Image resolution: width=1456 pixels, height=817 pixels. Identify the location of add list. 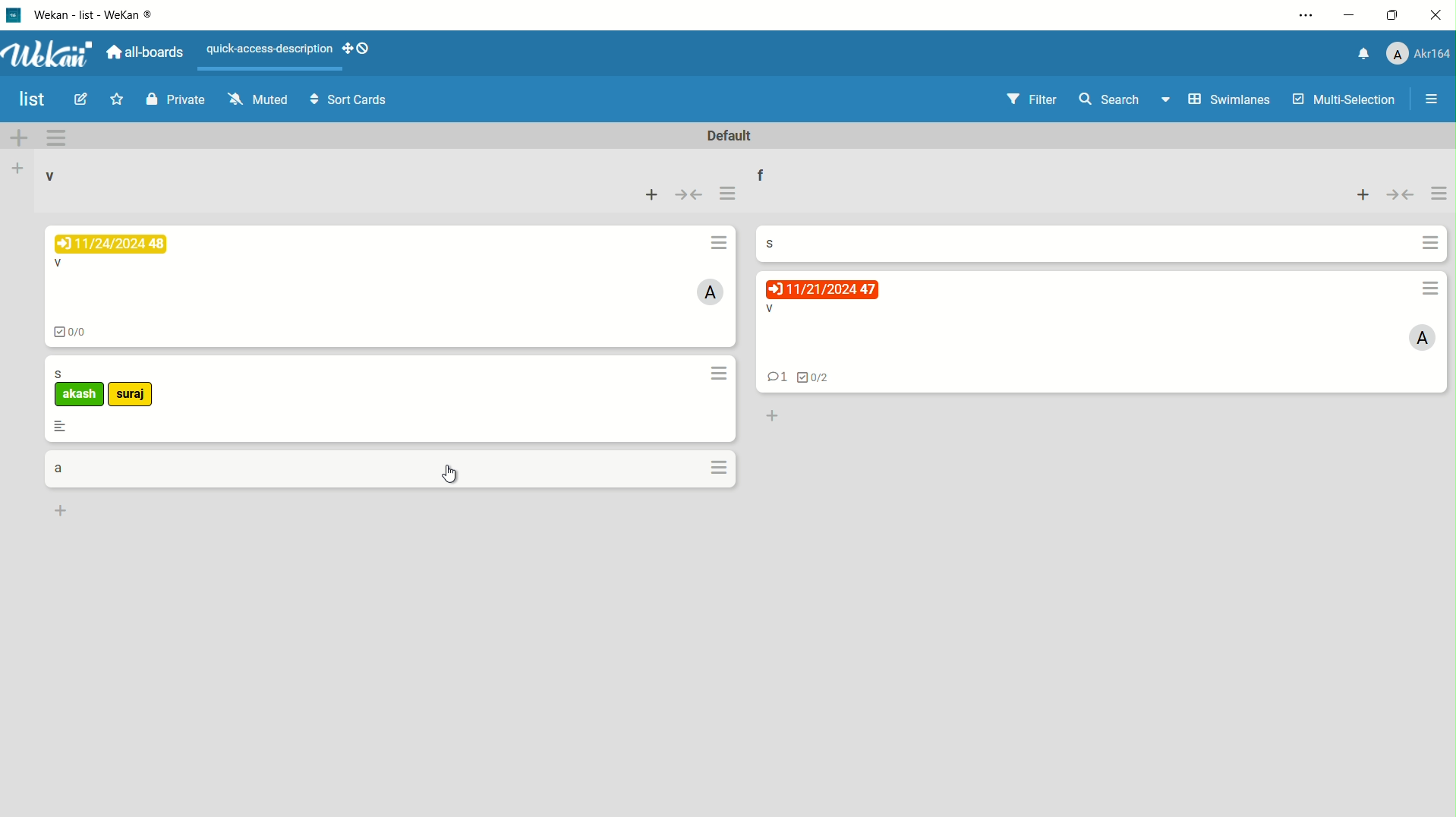
(17, 170).